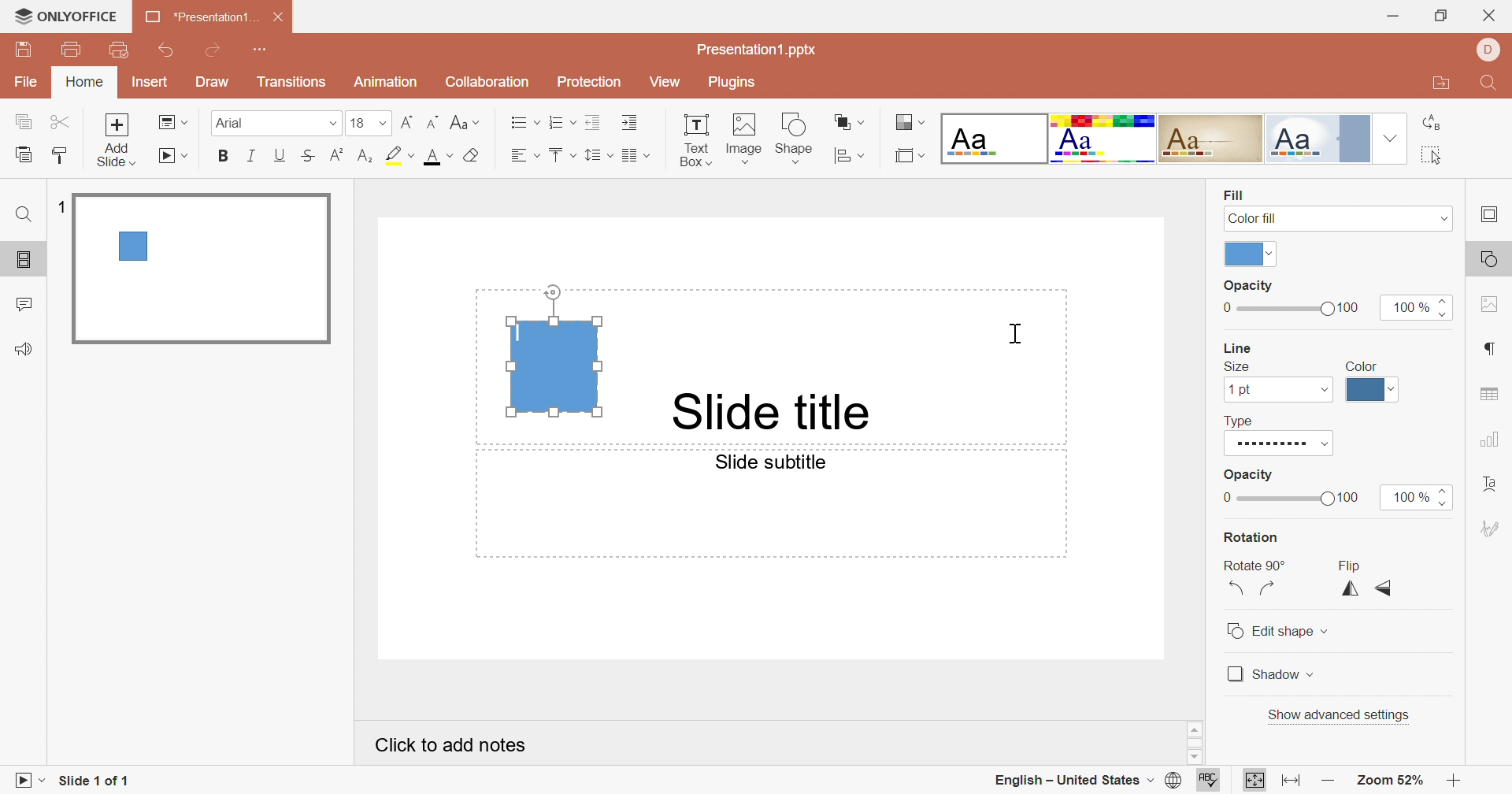 The width and height of the screenshot is (1512, 794). I want to click on Color, so click(1364, 364).